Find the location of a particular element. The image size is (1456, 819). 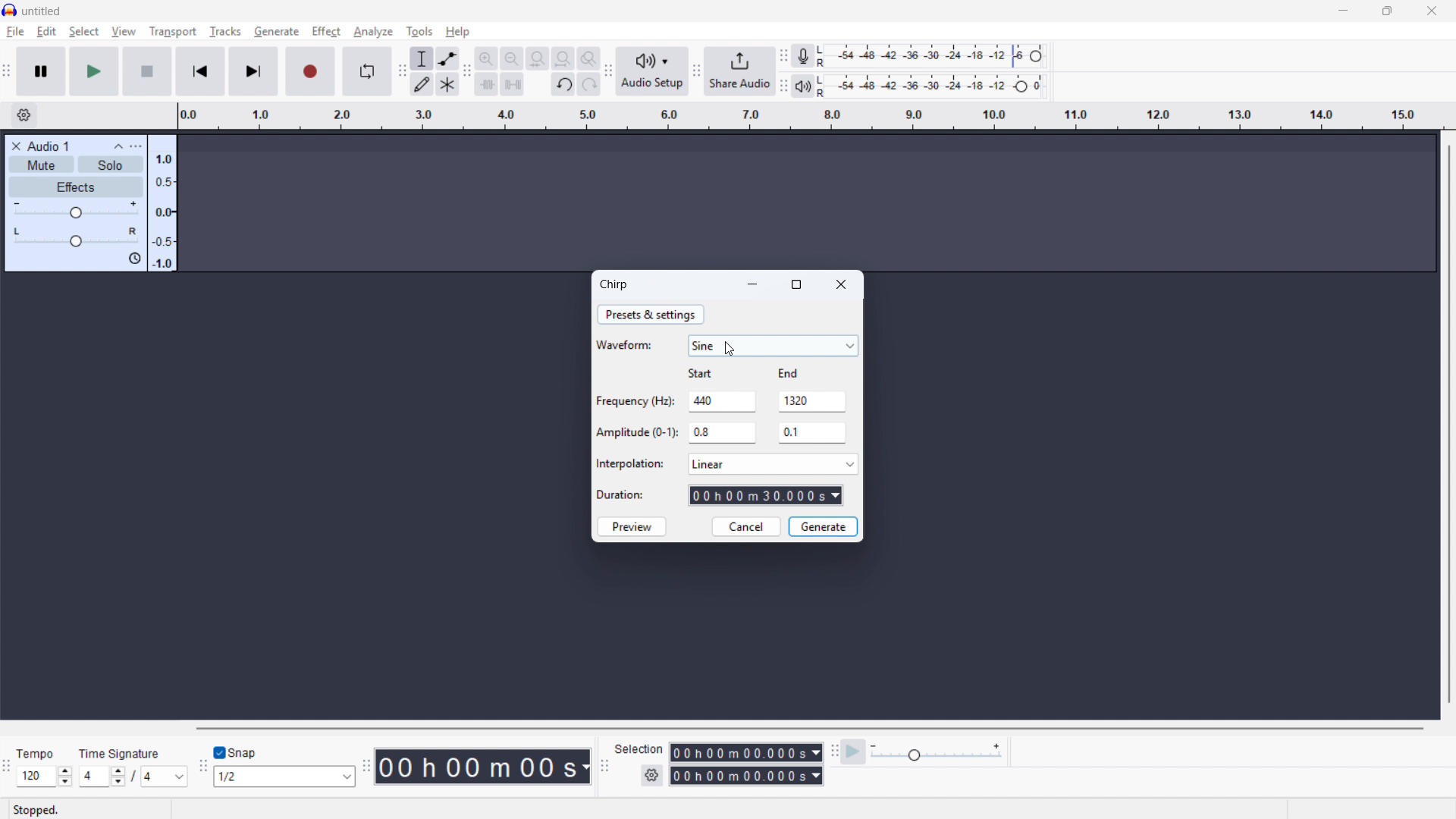

Audio setup toolbar  is located at coordinates (608, 71).